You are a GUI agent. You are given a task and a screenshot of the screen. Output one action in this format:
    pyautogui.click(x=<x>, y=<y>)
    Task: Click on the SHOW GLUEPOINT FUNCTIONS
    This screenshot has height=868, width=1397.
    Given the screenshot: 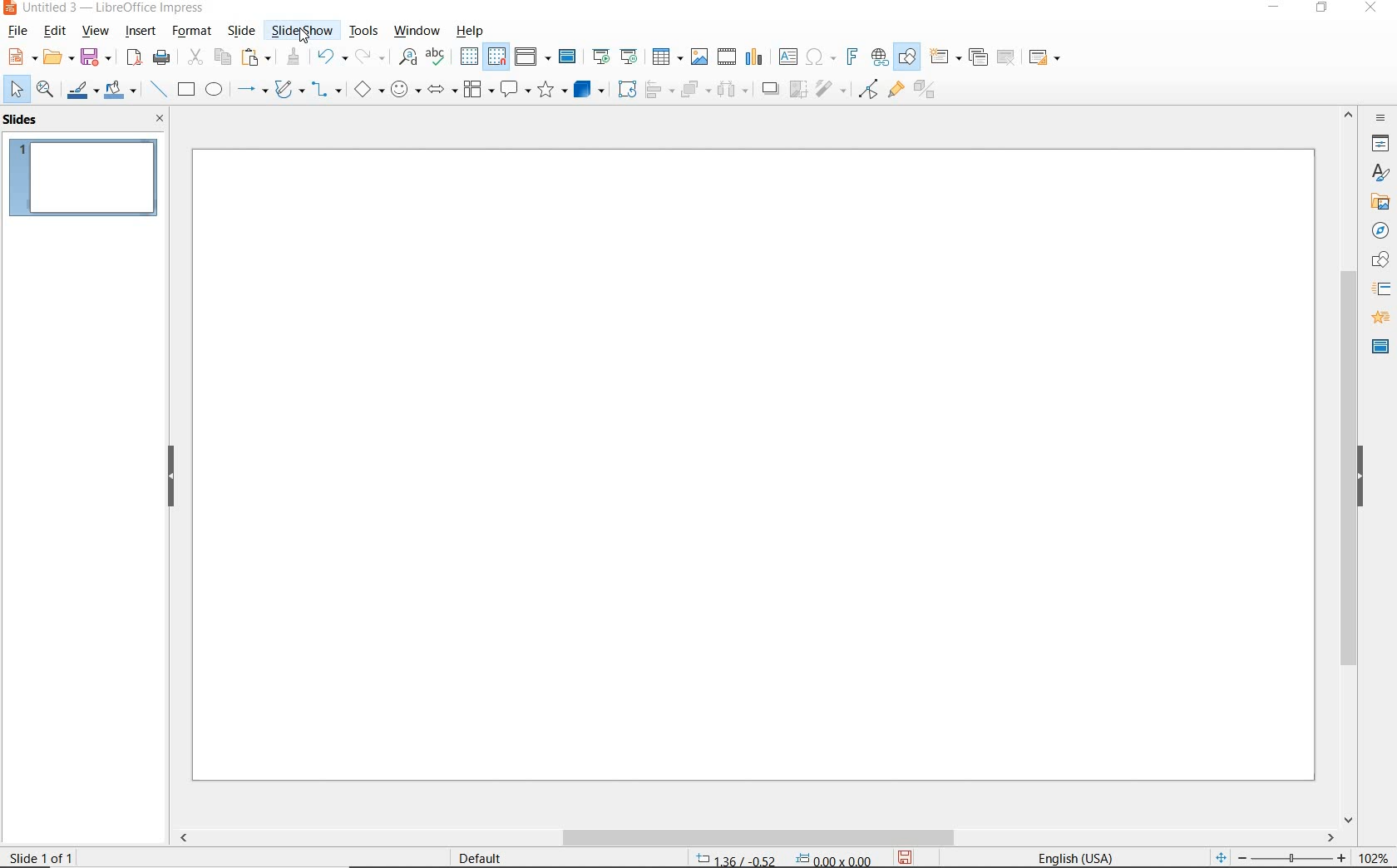 What is the action you would take?
    pyautogui.click(x=896, y=90)
    